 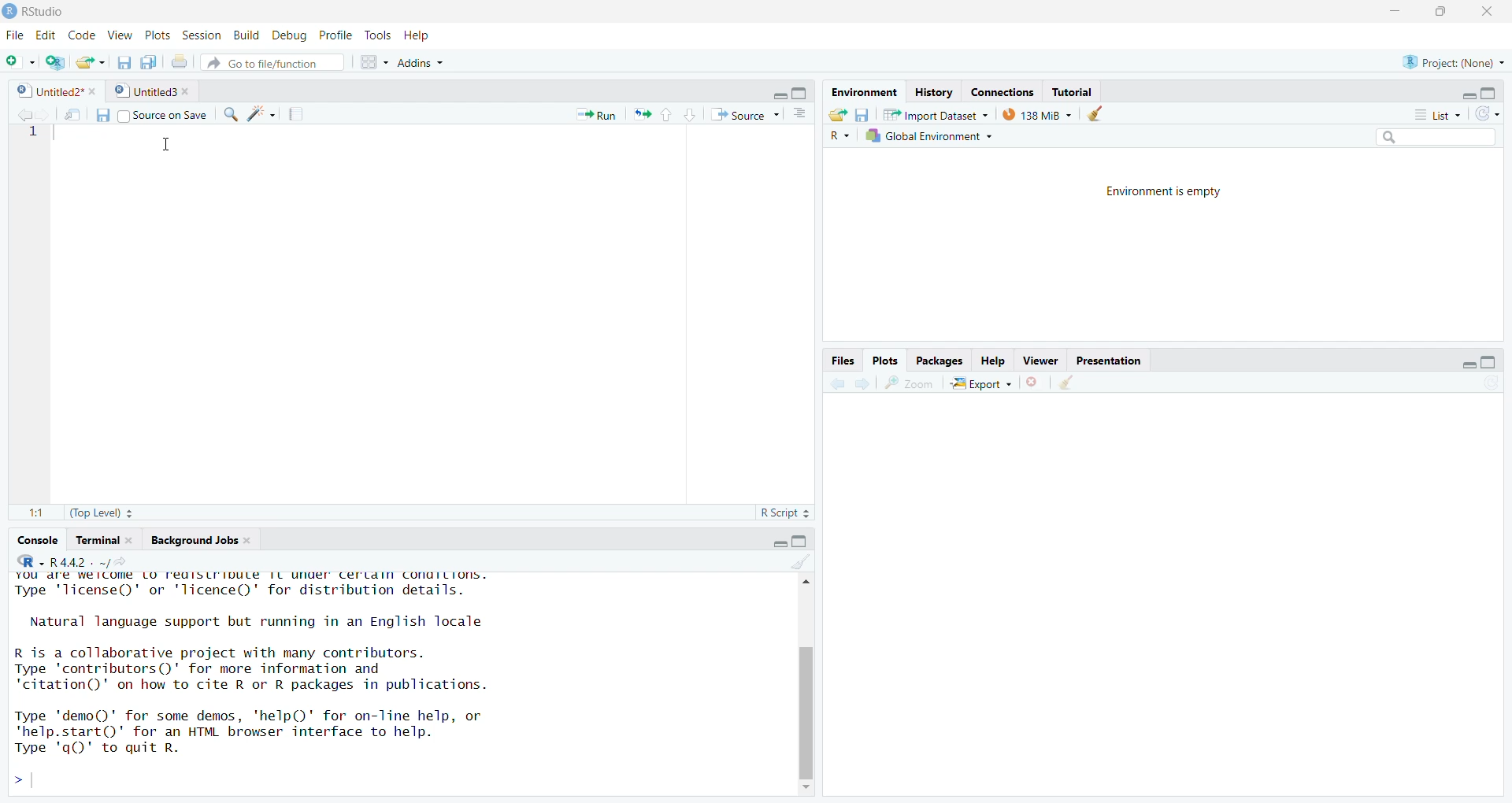 What do you see at coordinates (165, 115) in the screenshot?
I see `Source on Save` at bounding box center [165, 115].